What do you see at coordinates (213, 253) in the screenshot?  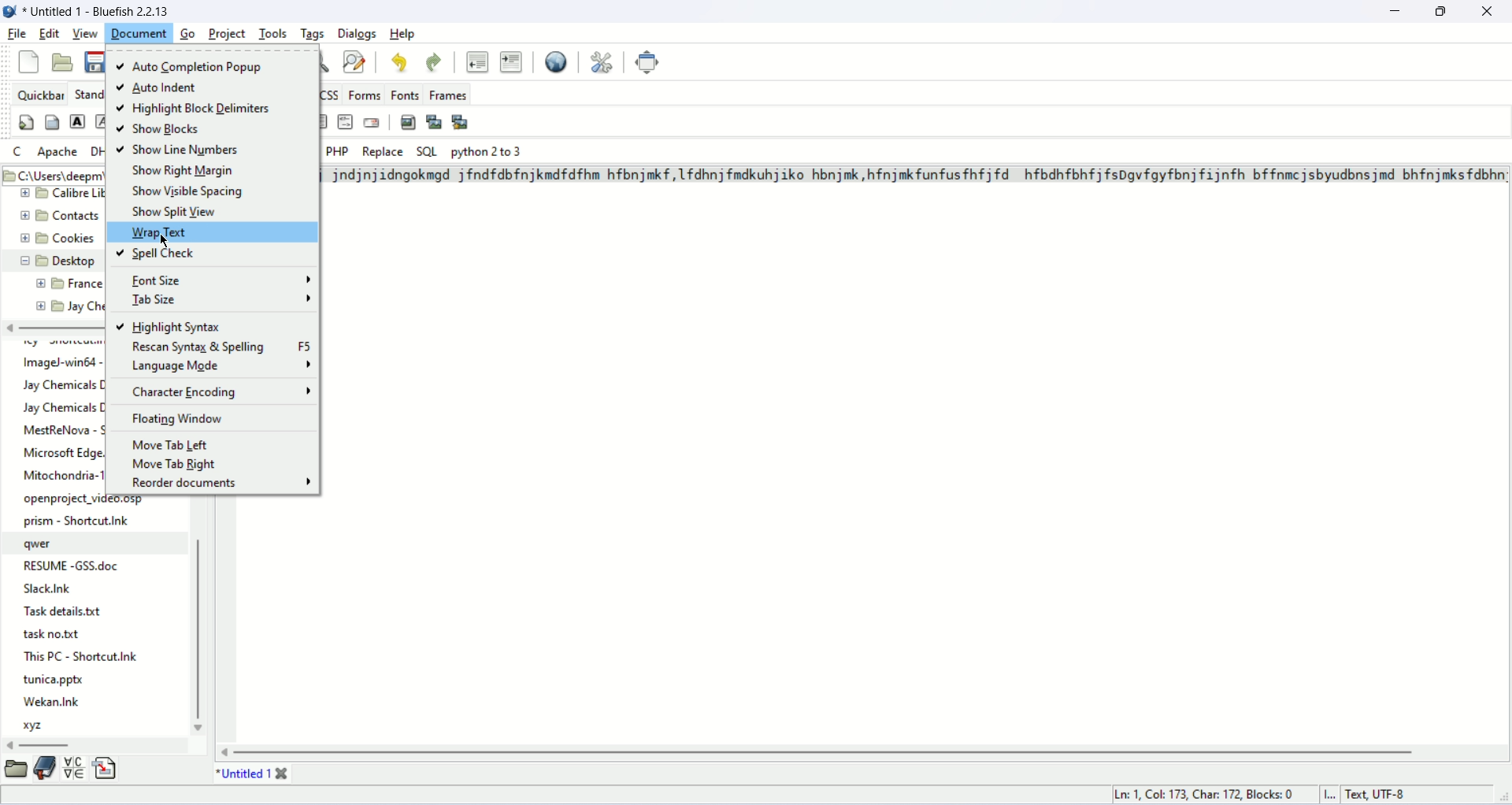 I see `spell check` at bounding box center [213, 253].